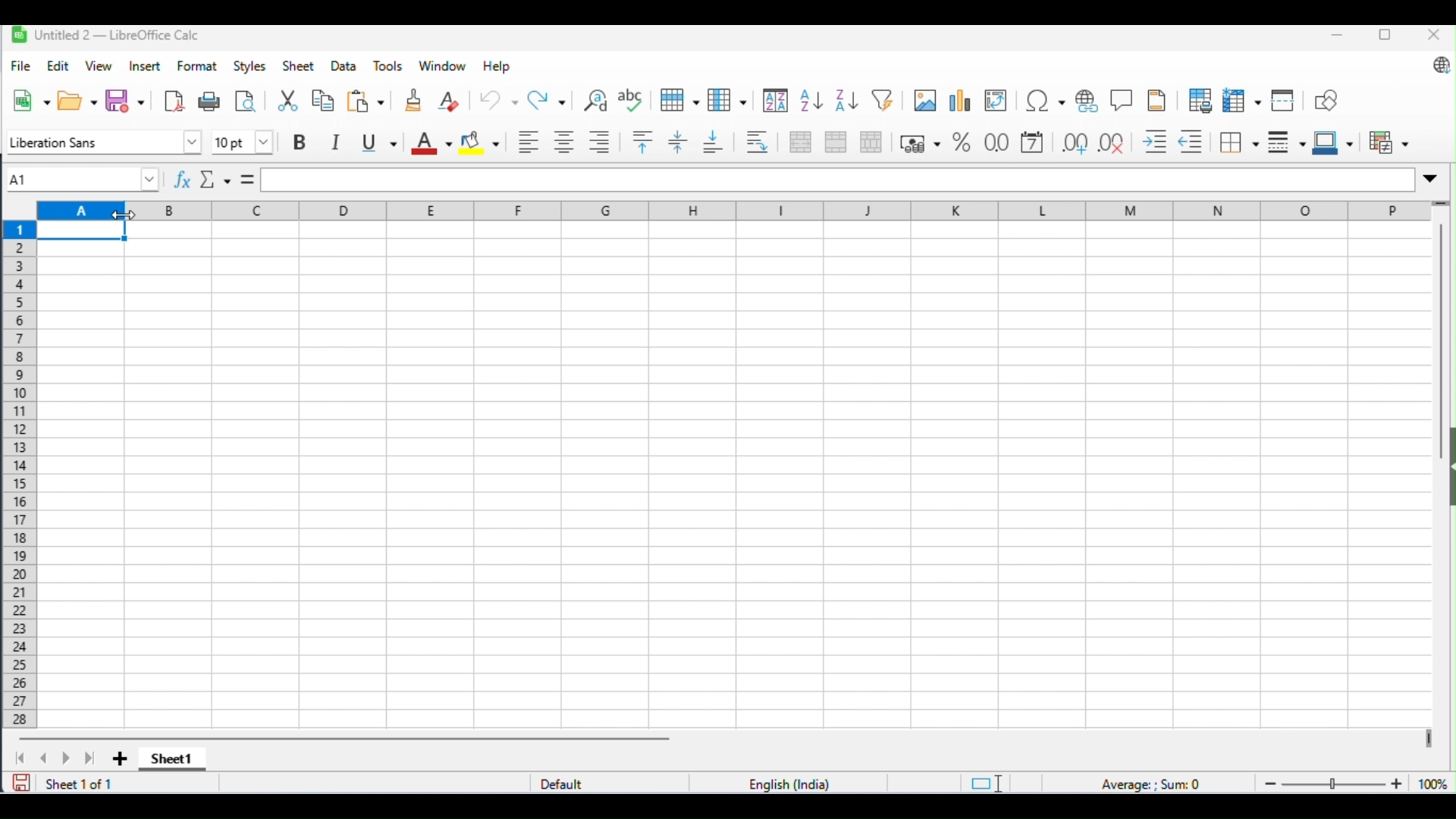 The height and width of the screenshot is (819, 1456). Describe the element at coordinates (180, 177) in the screenshot. I see `function wizard` at that location.